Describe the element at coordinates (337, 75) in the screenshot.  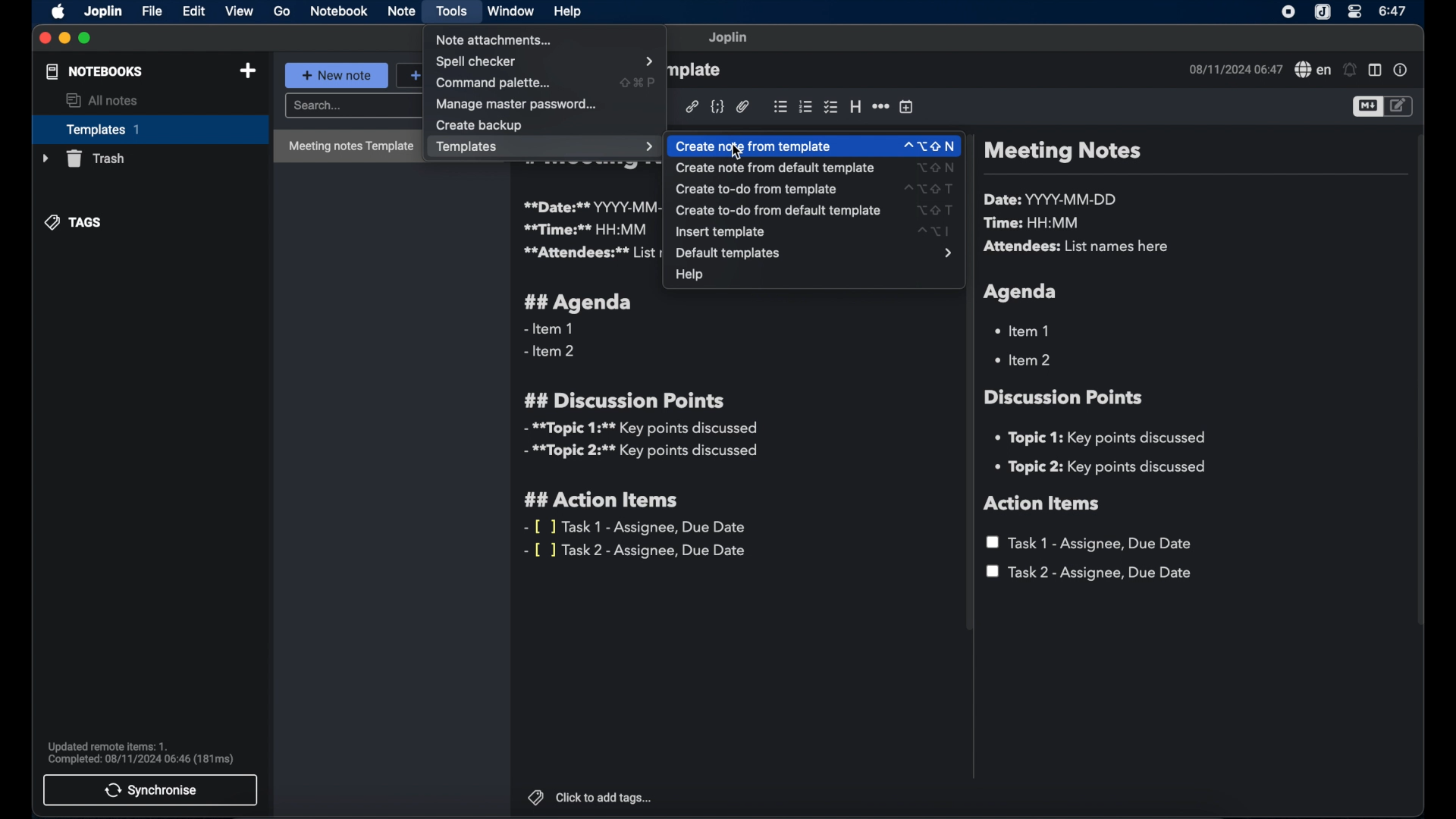
I see `new note` at that location.